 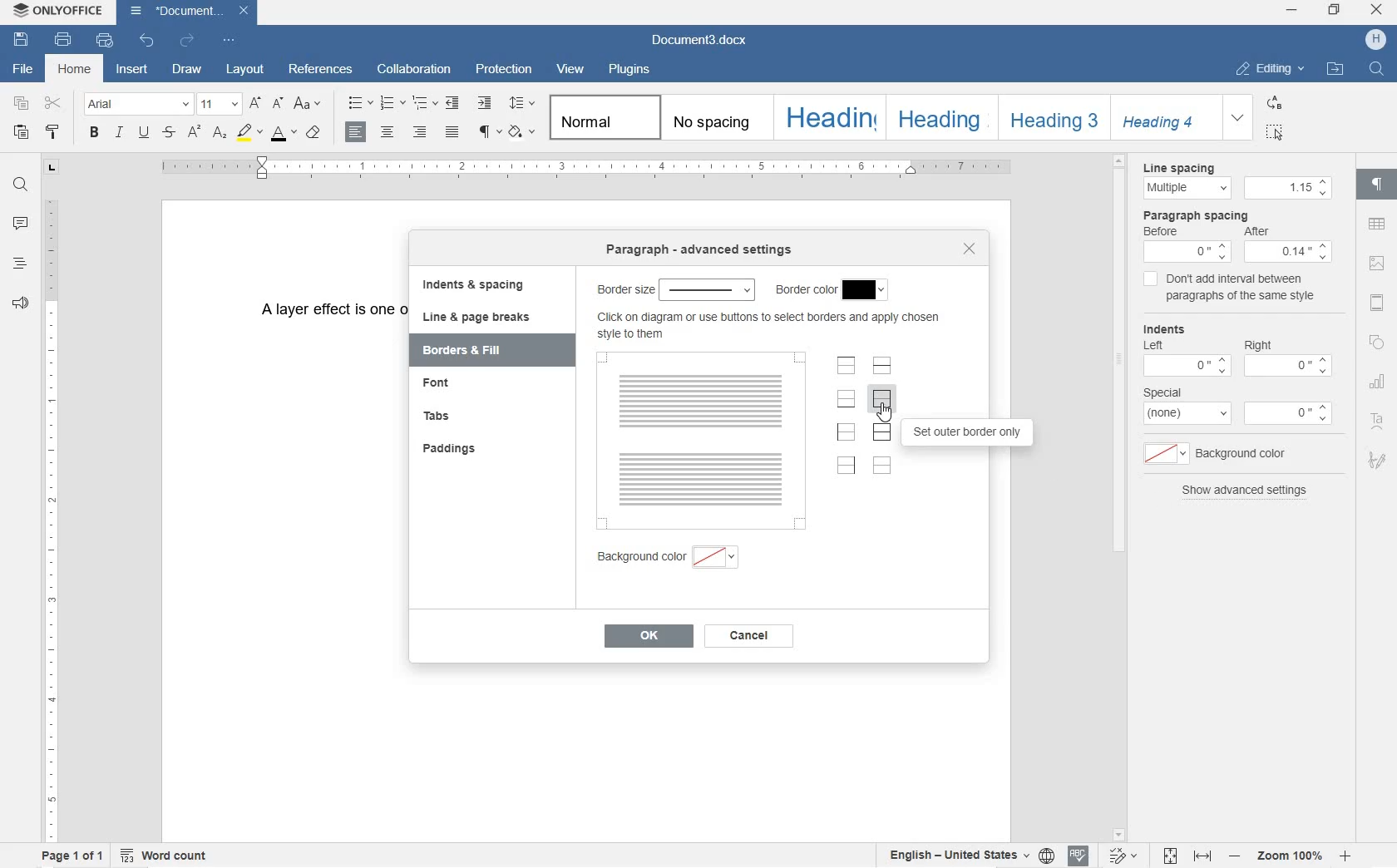 What do you see at coordinates (64, 40) in the screenshot?
I see `PRINT` at bounding box center [64, 40].